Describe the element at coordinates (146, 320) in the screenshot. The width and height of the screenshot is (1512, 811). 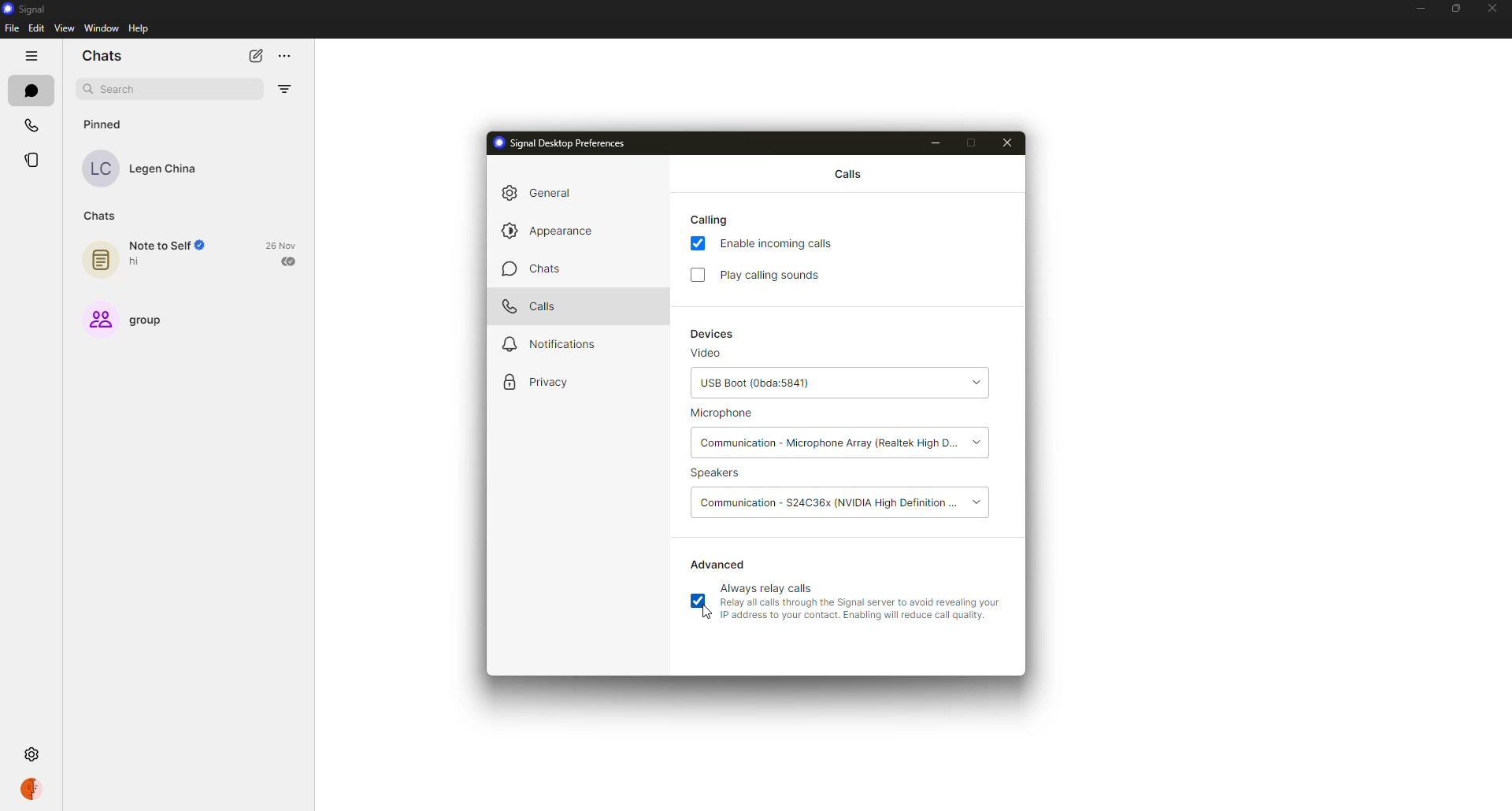
I see `group` at that location.